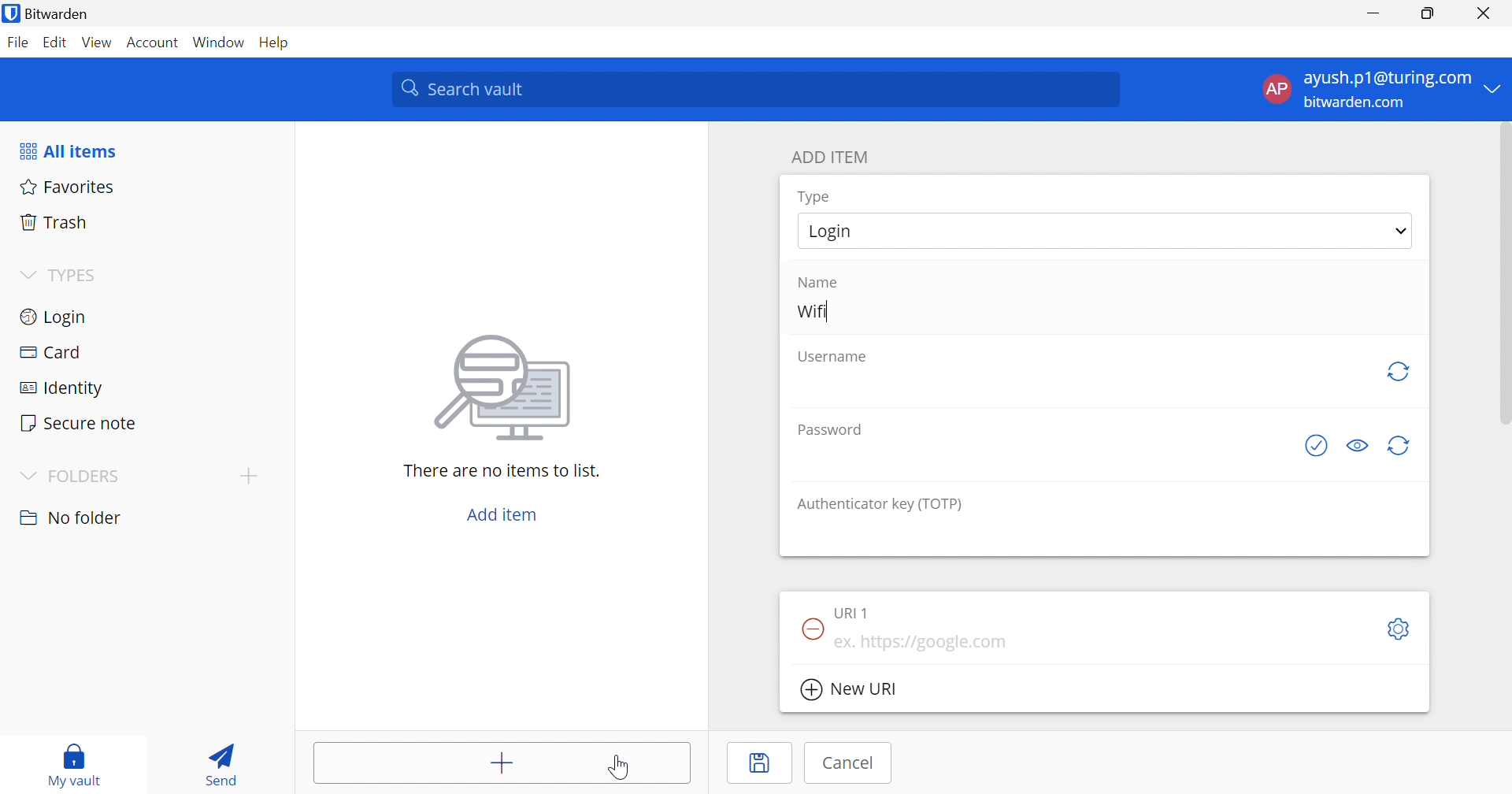  I want to click on Drop Down, so click(1402, 230).